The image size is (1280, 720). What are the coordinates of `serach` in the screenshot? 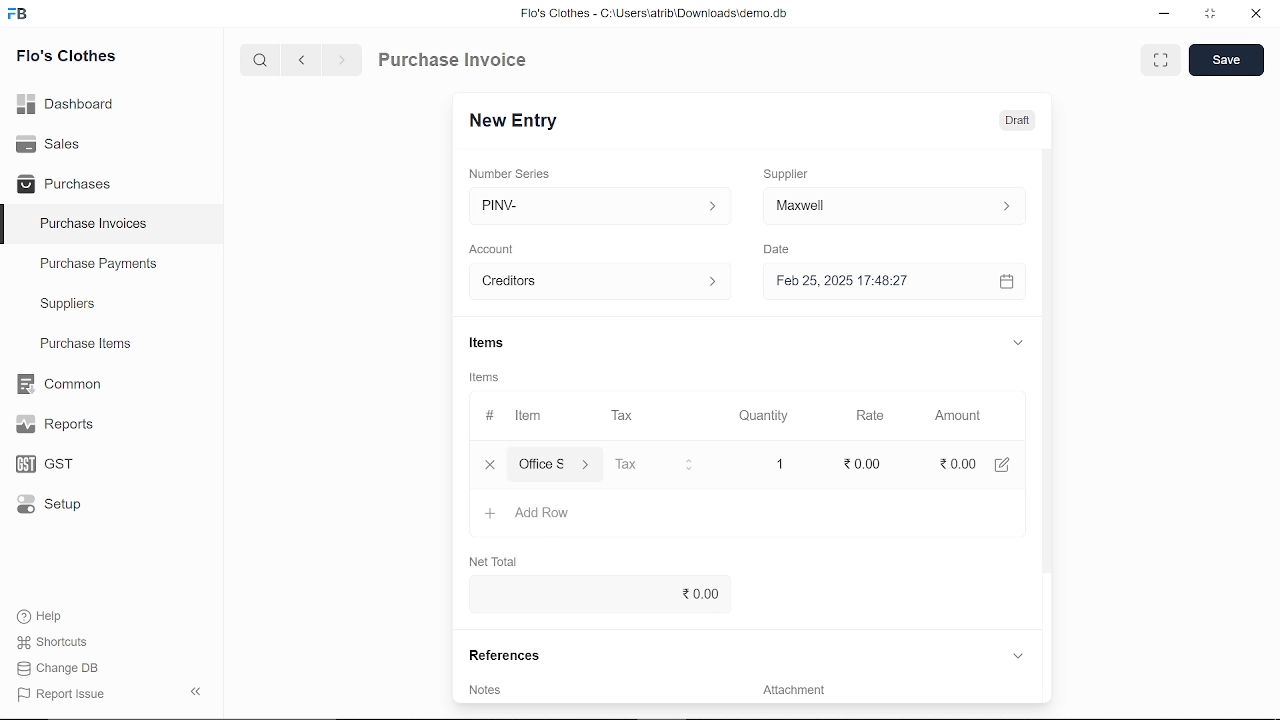 It's located at (258, 61).